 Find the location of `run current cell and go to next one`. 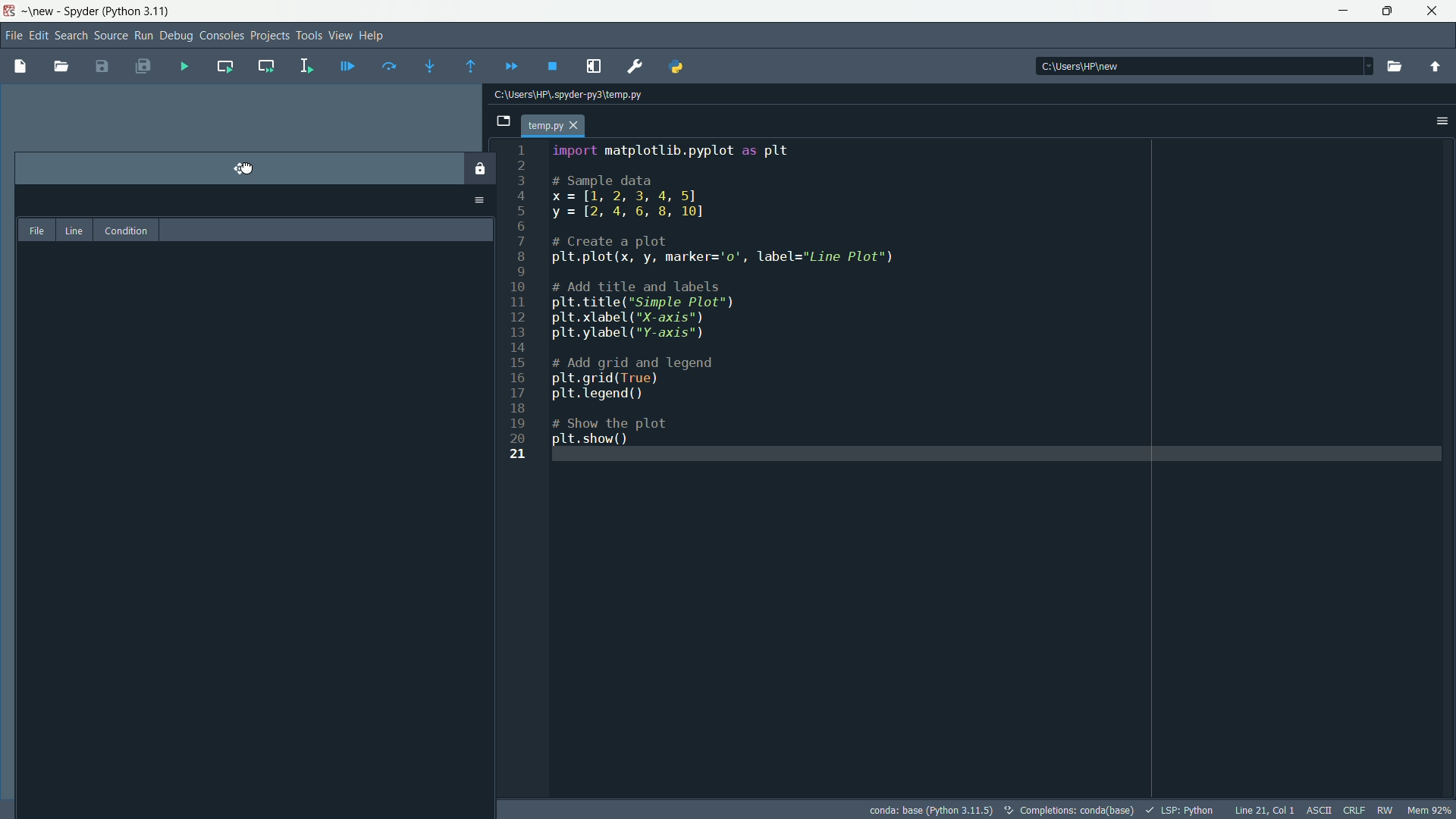

run current cell and go to next one is located at coordinates (264, 64).